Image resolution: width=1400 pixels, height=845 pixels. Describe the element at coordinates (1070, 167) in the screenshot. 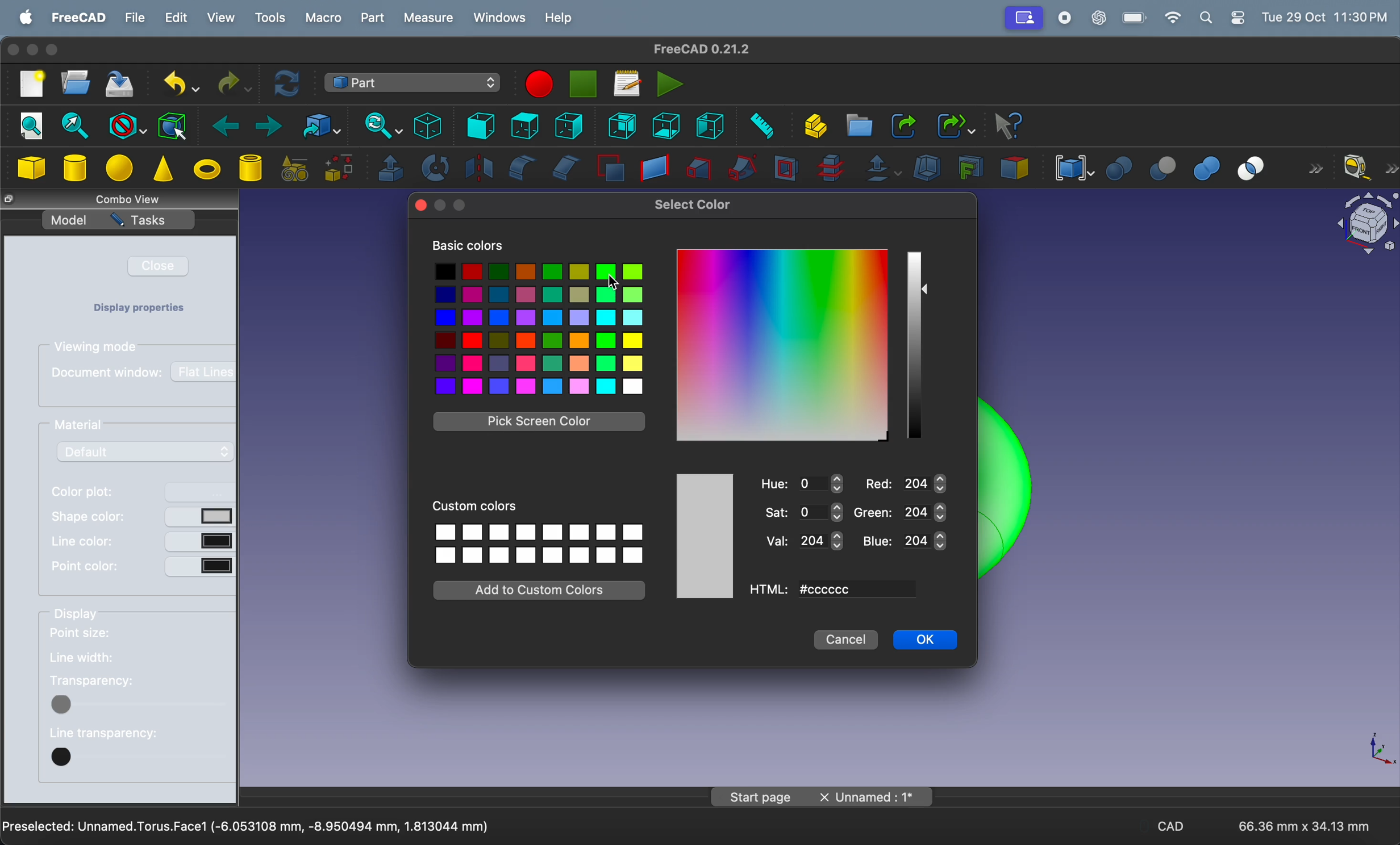

I see `compound tools` at that location.